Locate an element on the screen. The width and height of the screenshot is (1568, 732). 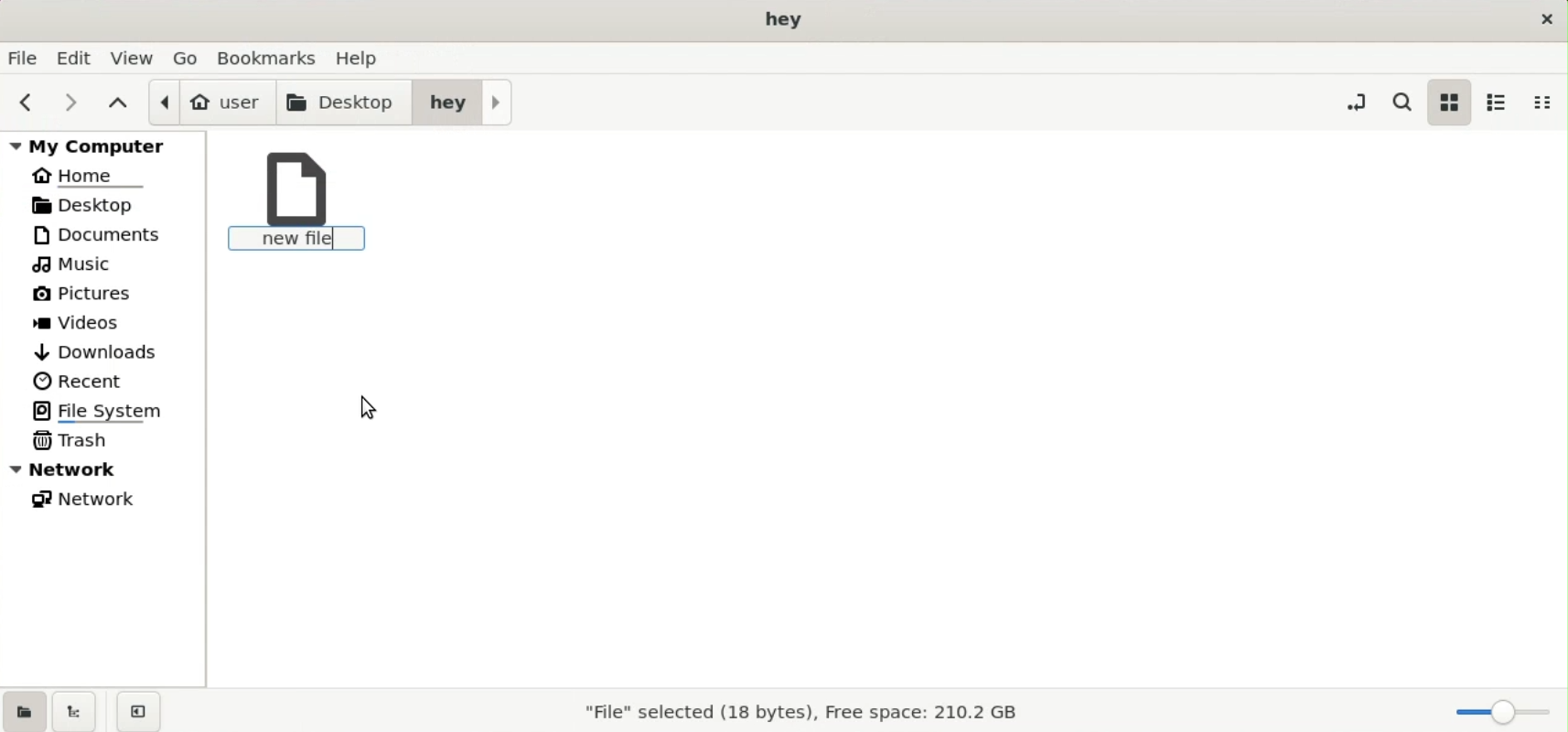
list view is located at coordinates (1497, 102).